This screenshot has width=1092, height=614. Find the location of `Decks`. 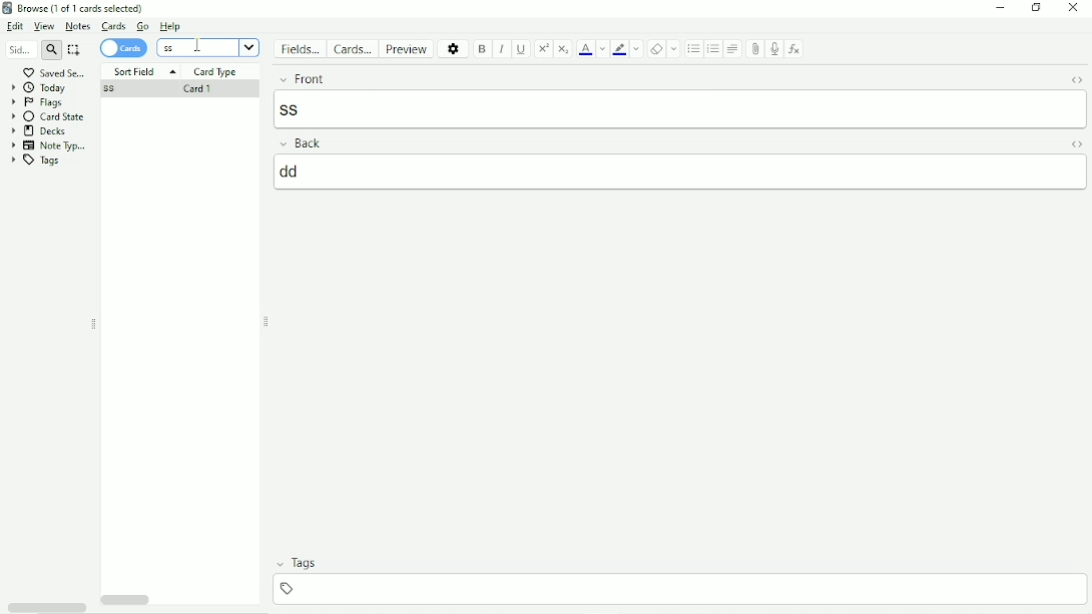

Decks is located at coordinates (39, 131).